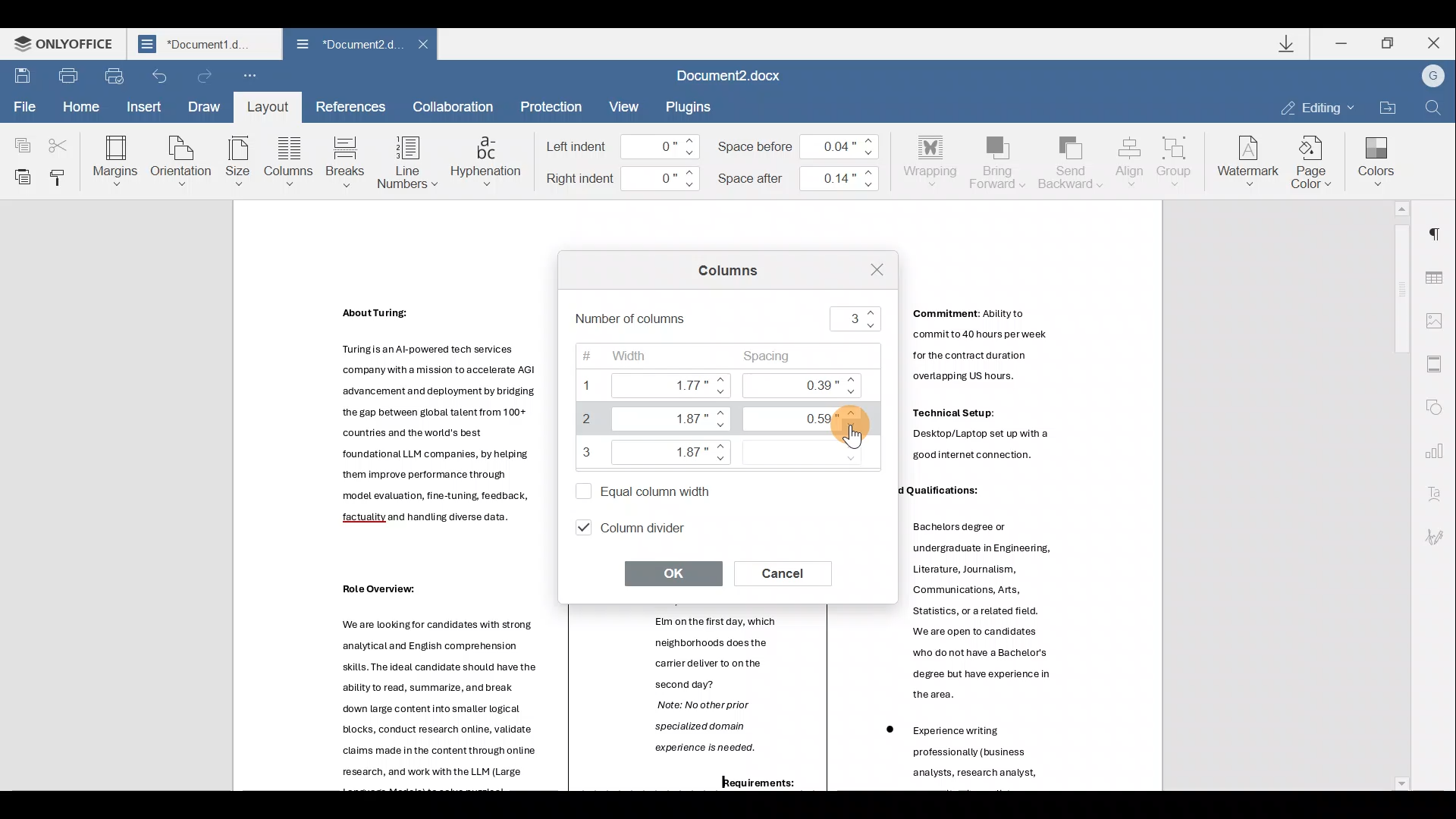  Describe the element at coordinates (977, 438) in the screenshot. I see `` at that location.